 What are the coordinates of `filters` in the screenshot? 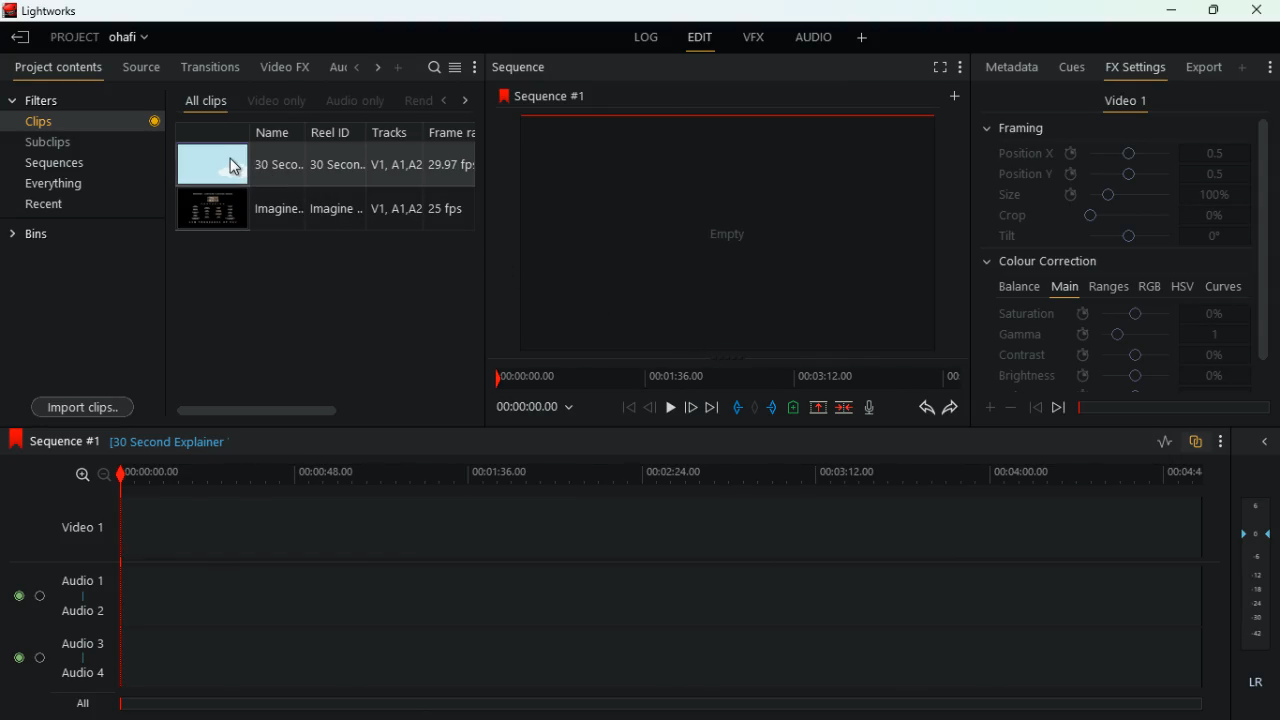 It's located at (50, 101).